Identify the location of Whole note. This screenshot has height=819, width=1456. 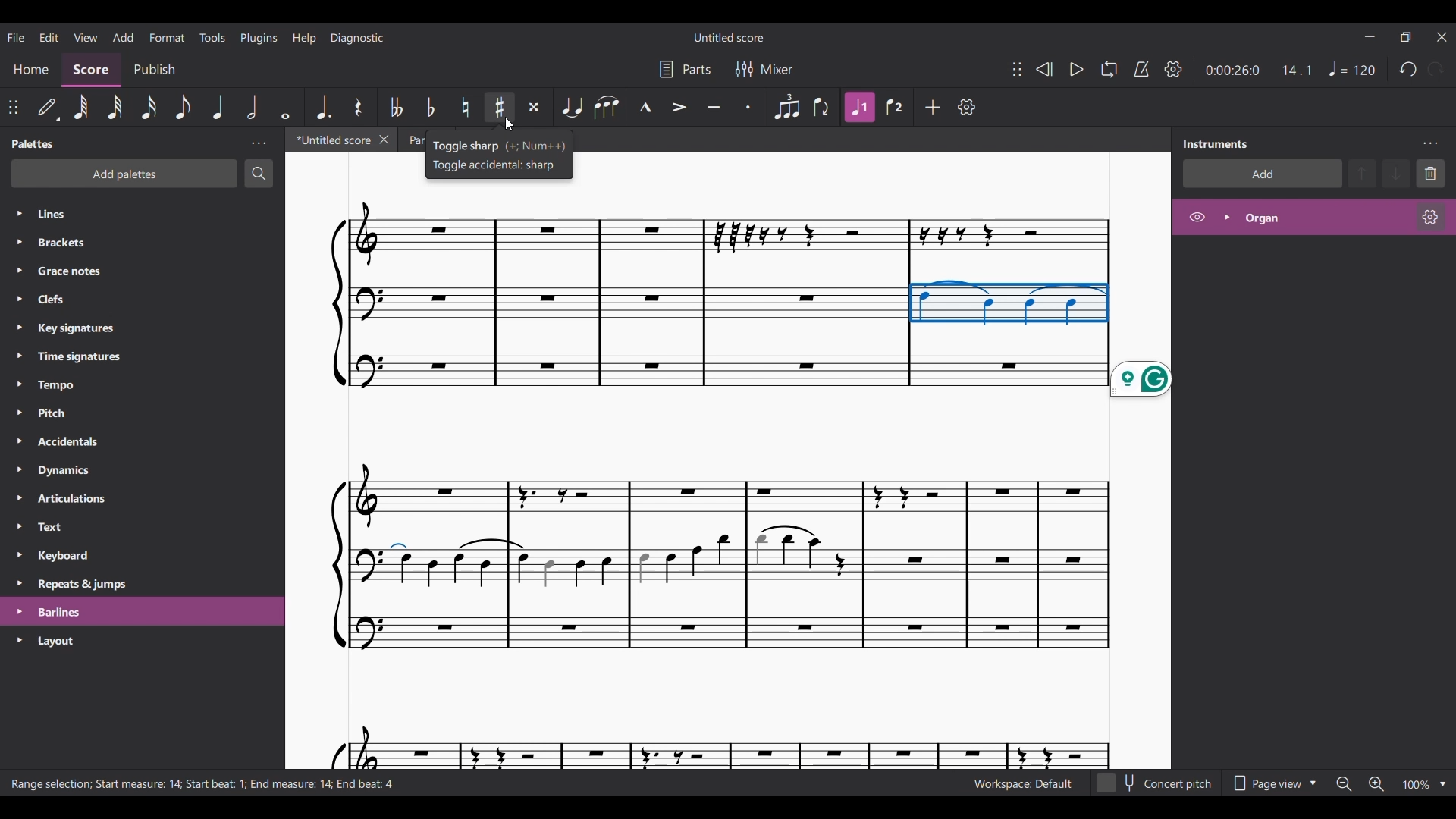
(286, 107).